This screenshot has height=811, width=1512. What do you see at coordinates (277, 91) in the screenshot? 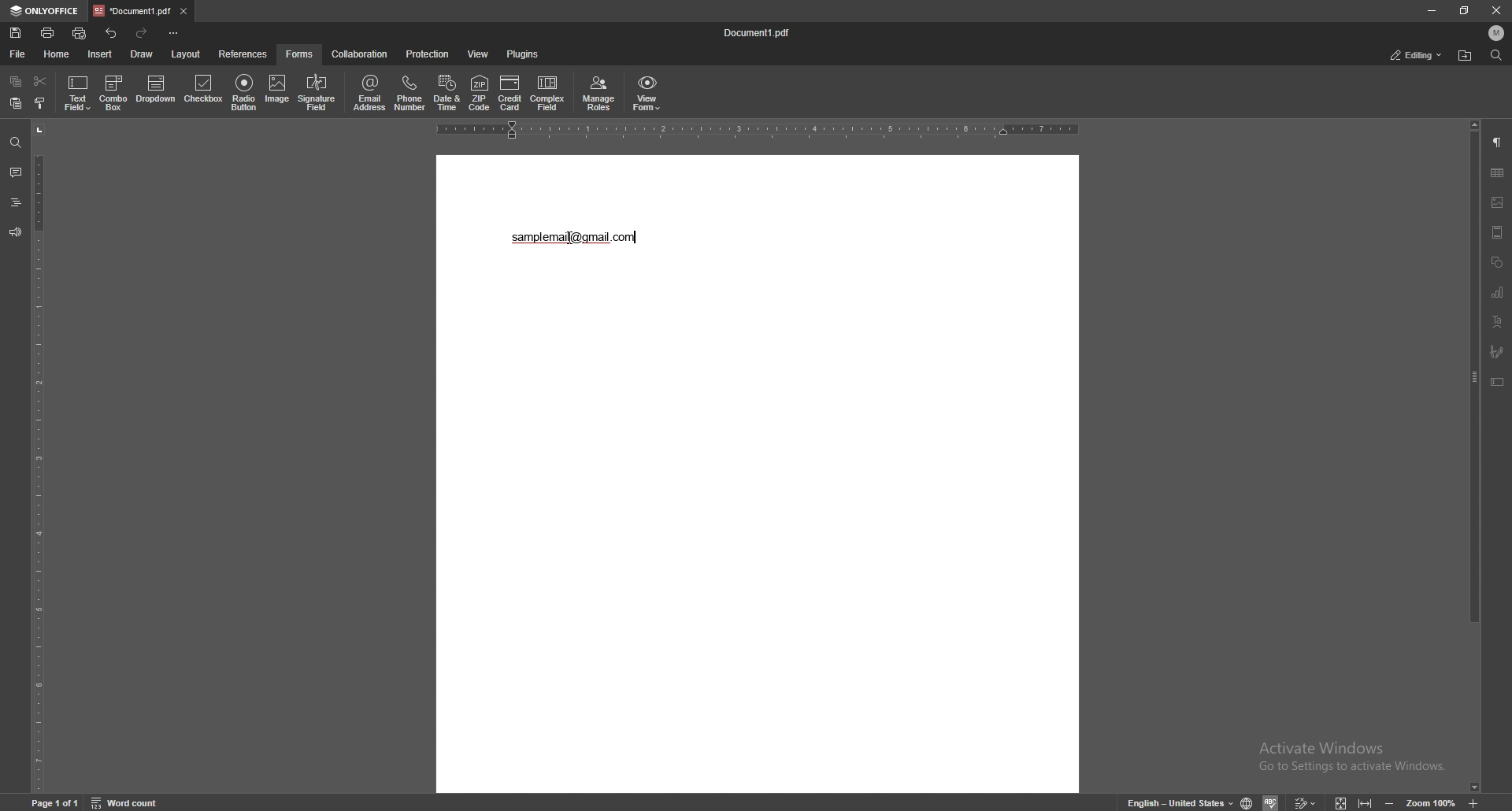
I see `image` at bounding box center [277, 91].